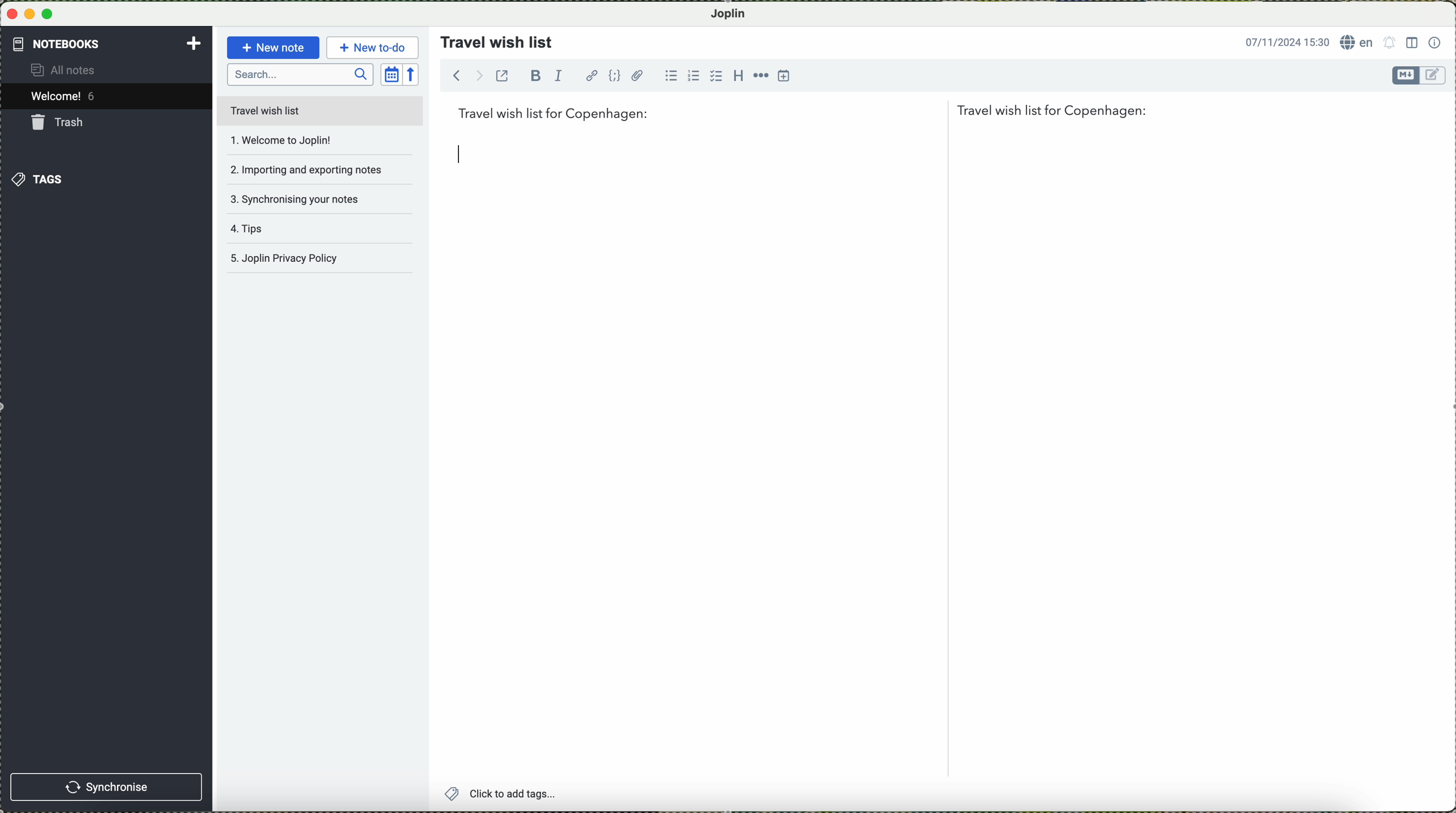  Describe the element at coordinates (302, 141) in the screenshot. I see `welcome to joplin` at that location.